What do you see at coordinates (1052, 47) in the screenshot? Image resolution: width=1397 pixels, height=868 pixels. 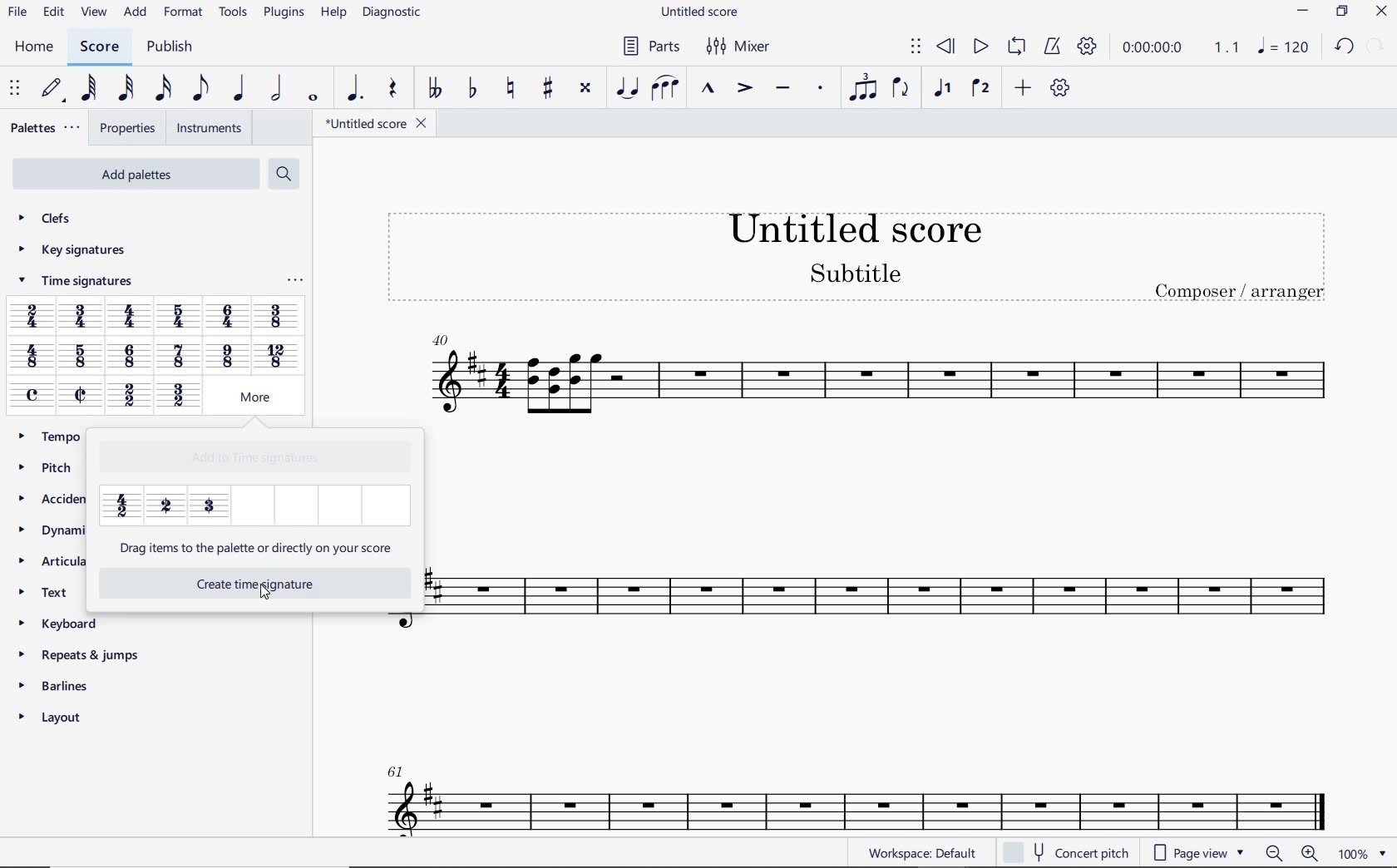 I see `METRONOME` at bounding box center [1052, 47].